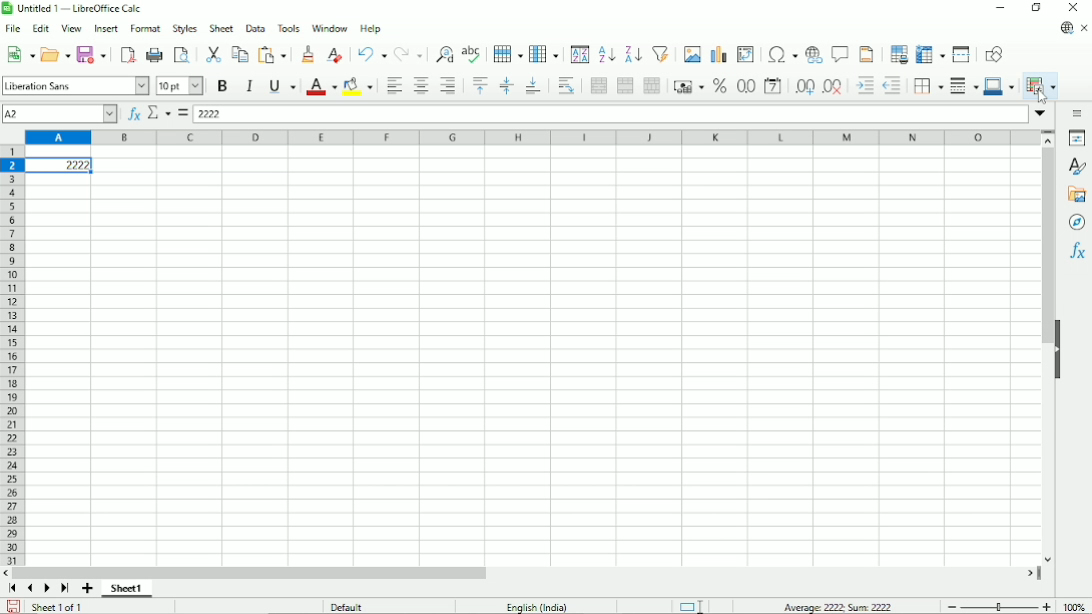 The image size is (1092, 614). Describe the element at coordinates (1038, 7) in the screenshot. I see `Restore down` at that location.